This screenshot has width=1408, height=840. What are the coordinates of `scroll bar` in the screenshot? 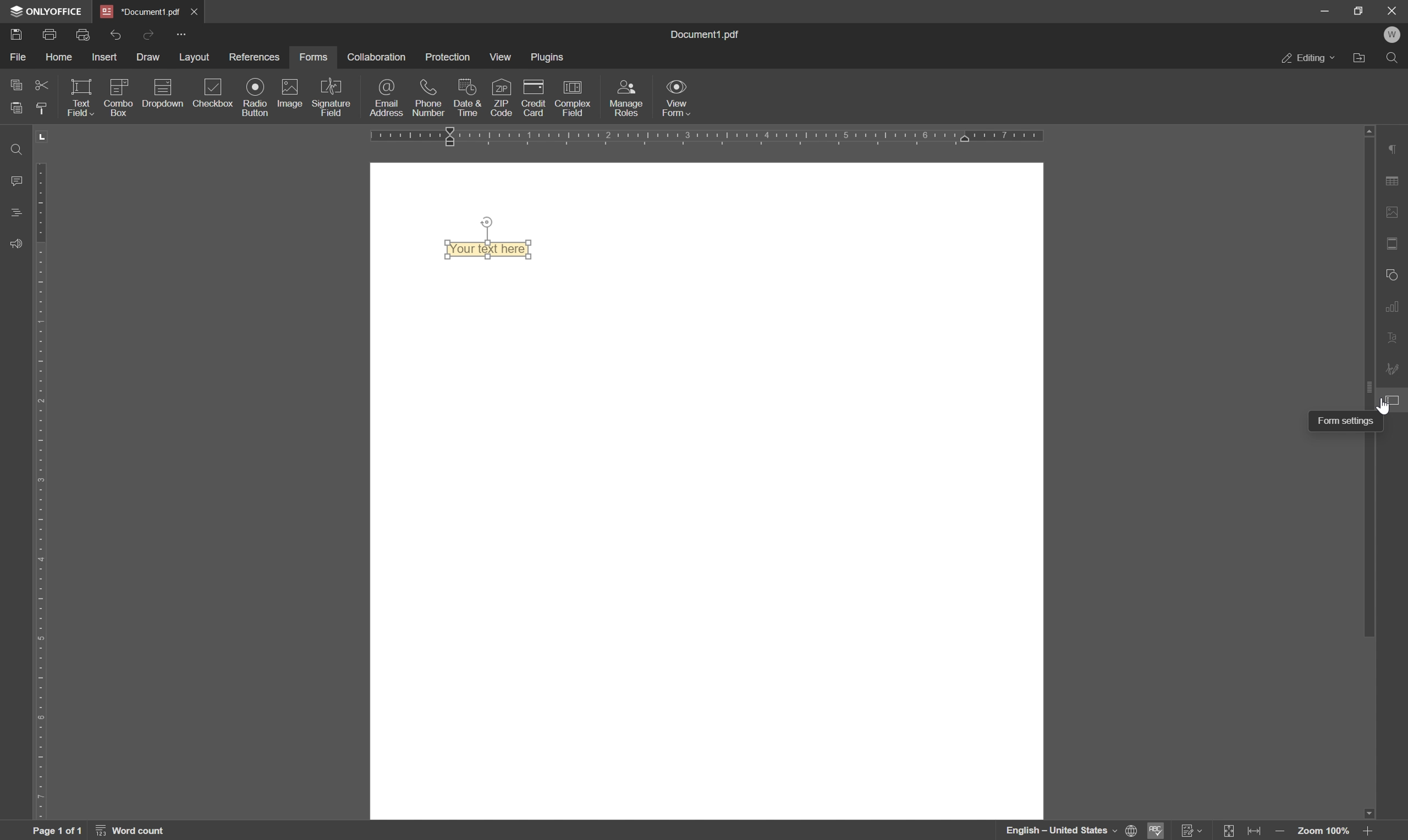 It's located at (1366, 273).